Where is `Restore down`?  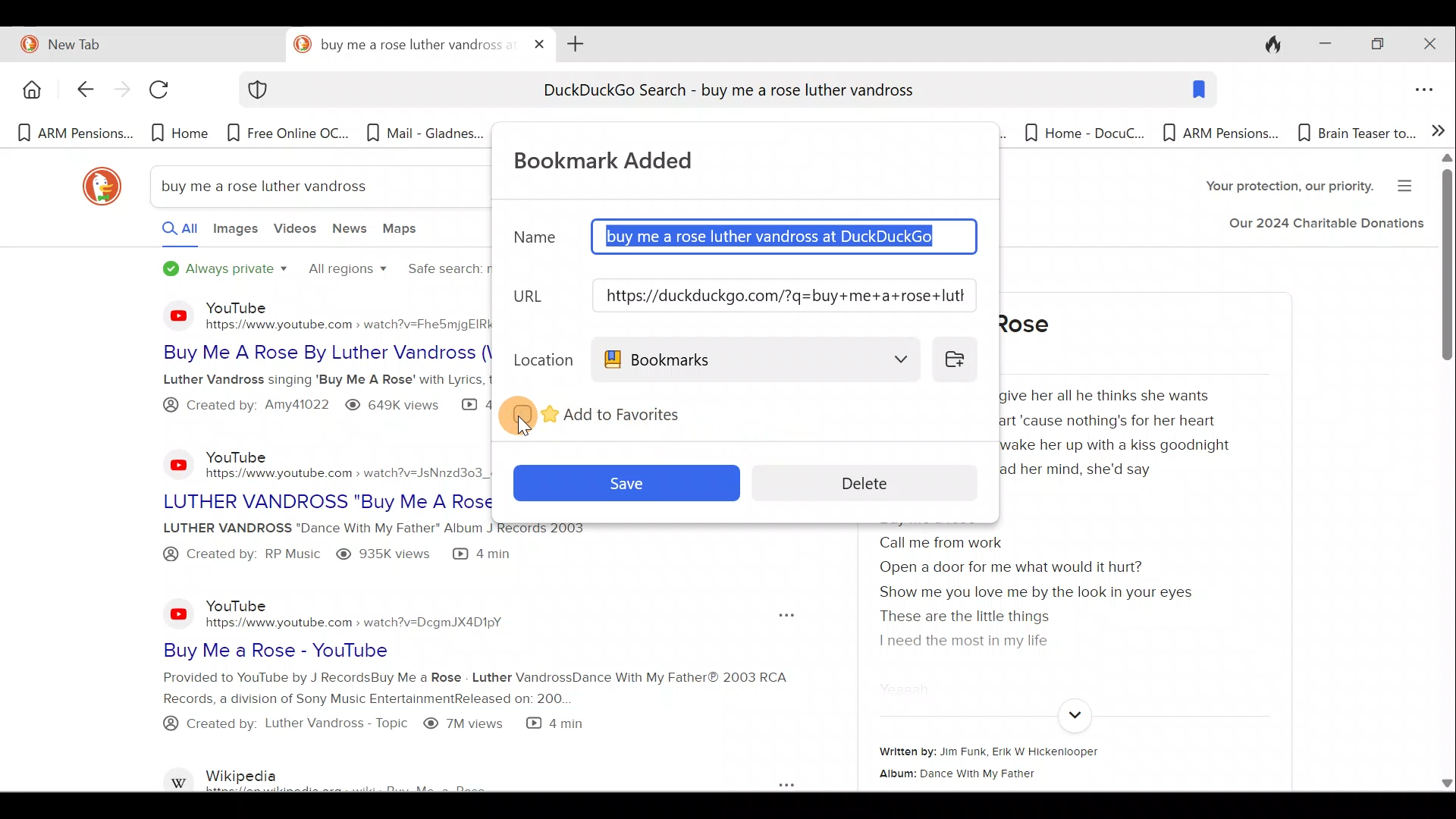 Restore down is located at coordinates (1376, 45).